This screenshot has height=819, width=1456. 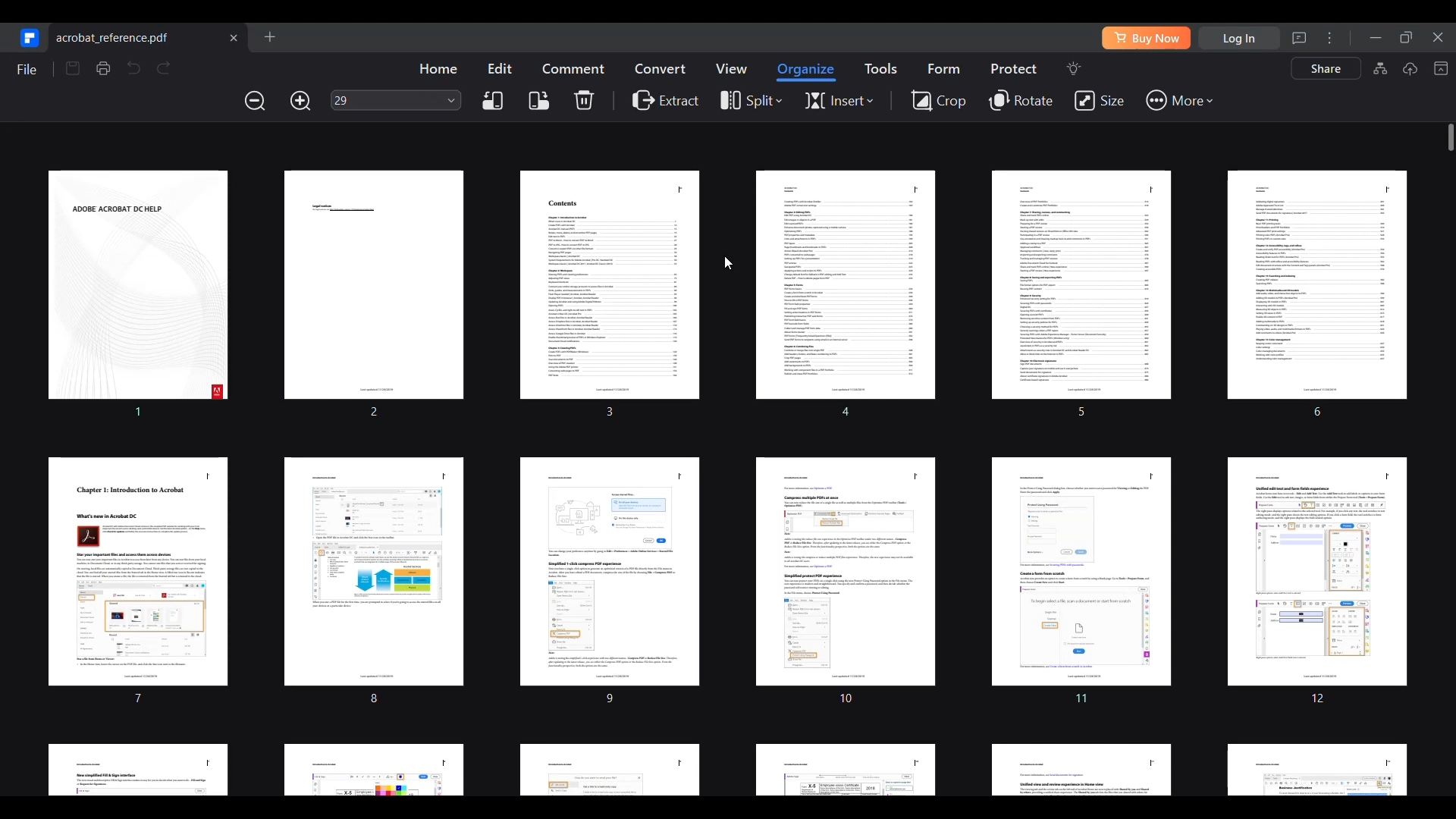 I want to click on Home, so click(x=438, y=68).